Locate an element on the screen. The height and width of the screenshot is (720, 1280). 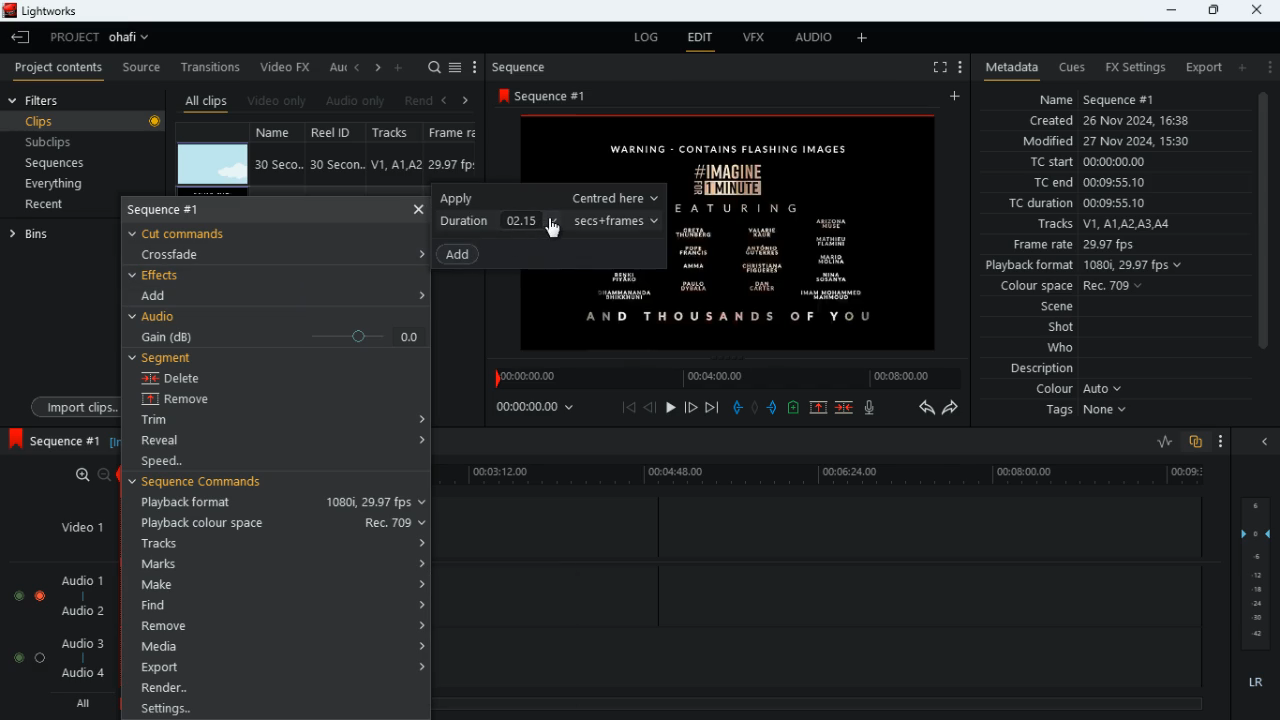
transitions is located at coordinates (212, 65).